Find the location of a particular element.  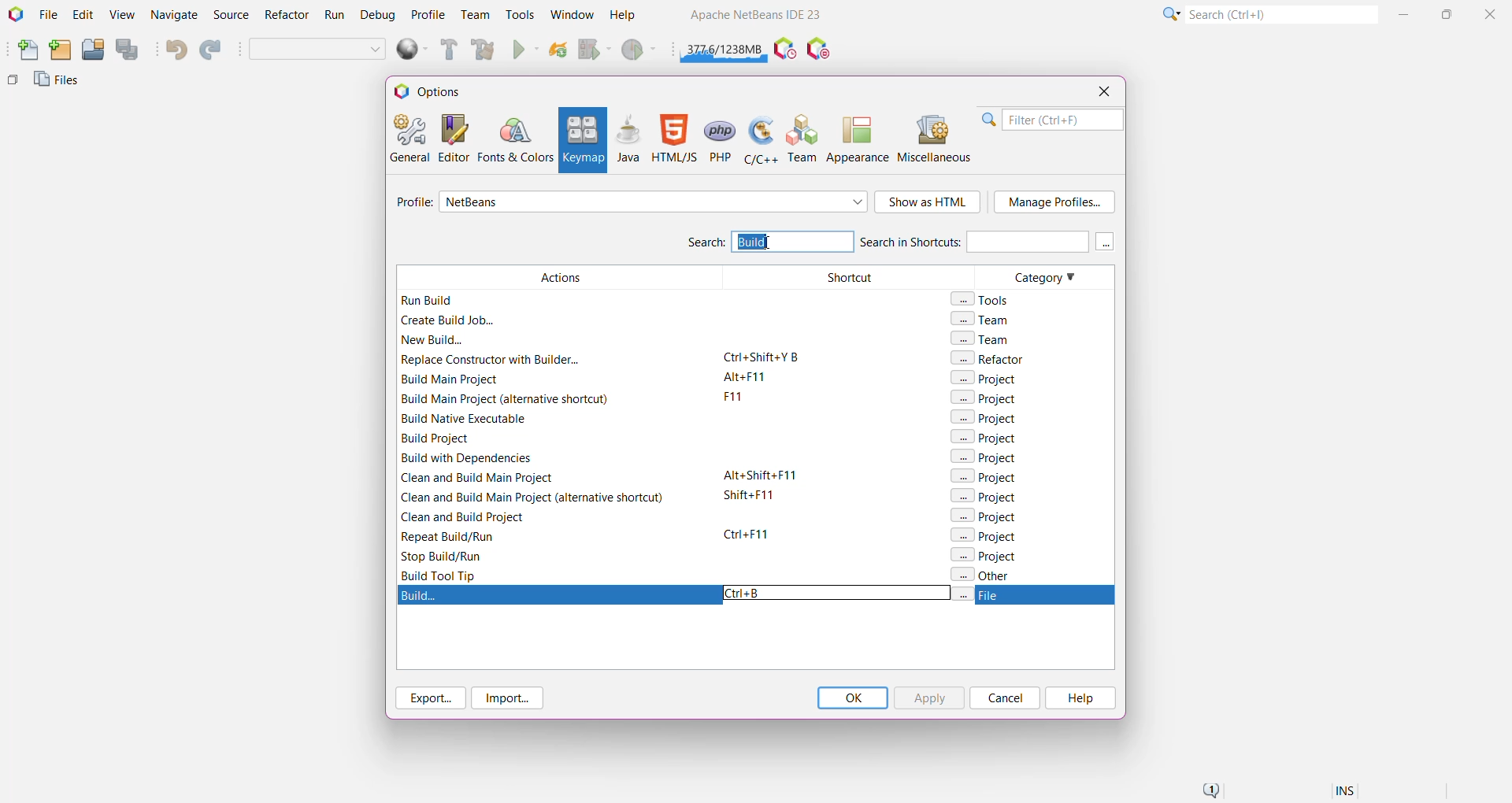

PHP is located at coordinates (721, 139).